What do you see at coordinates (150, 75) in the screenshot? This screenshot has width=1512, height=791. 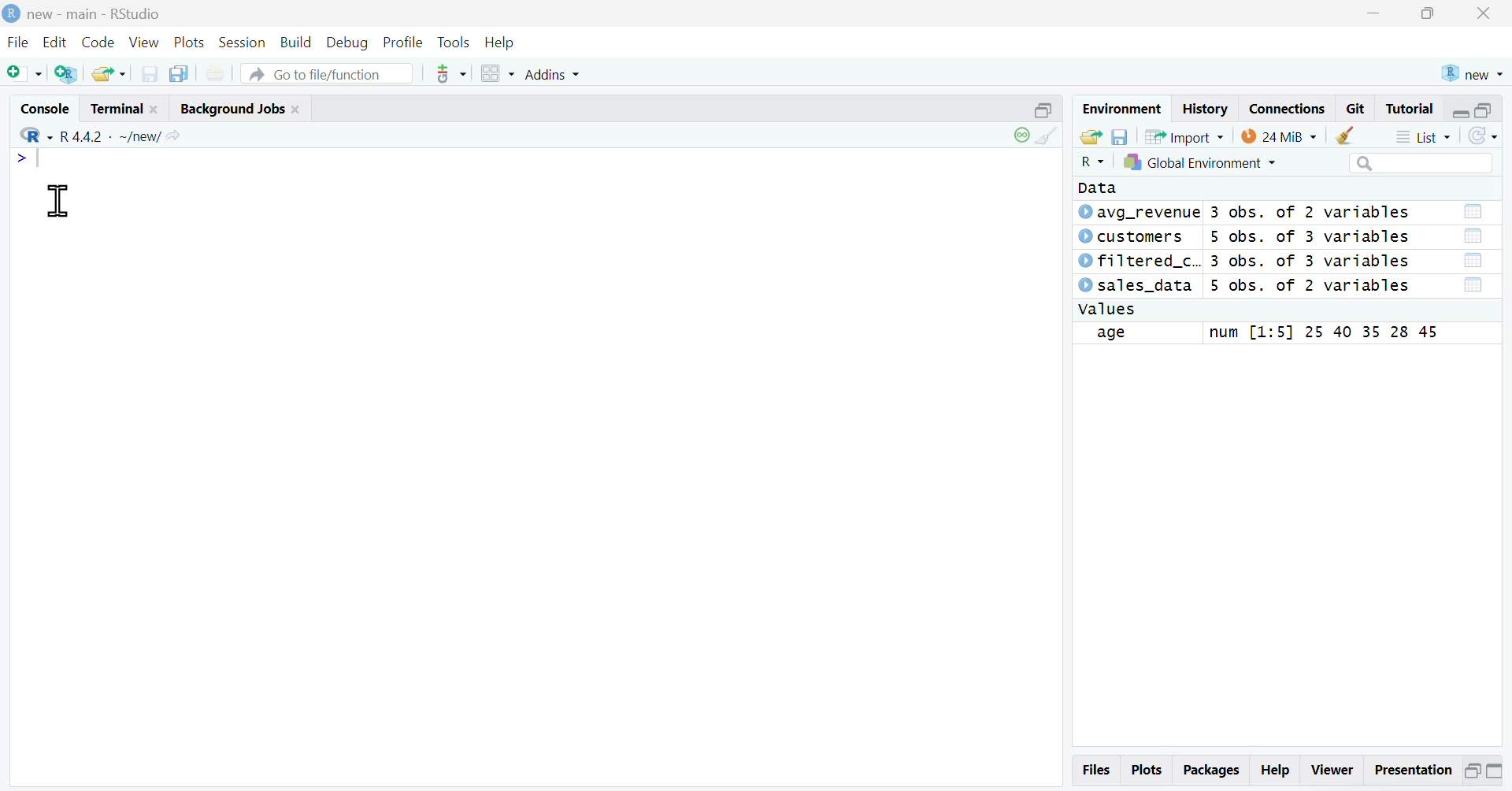 I see `Save Current Document` at bounding box center [150, 75].